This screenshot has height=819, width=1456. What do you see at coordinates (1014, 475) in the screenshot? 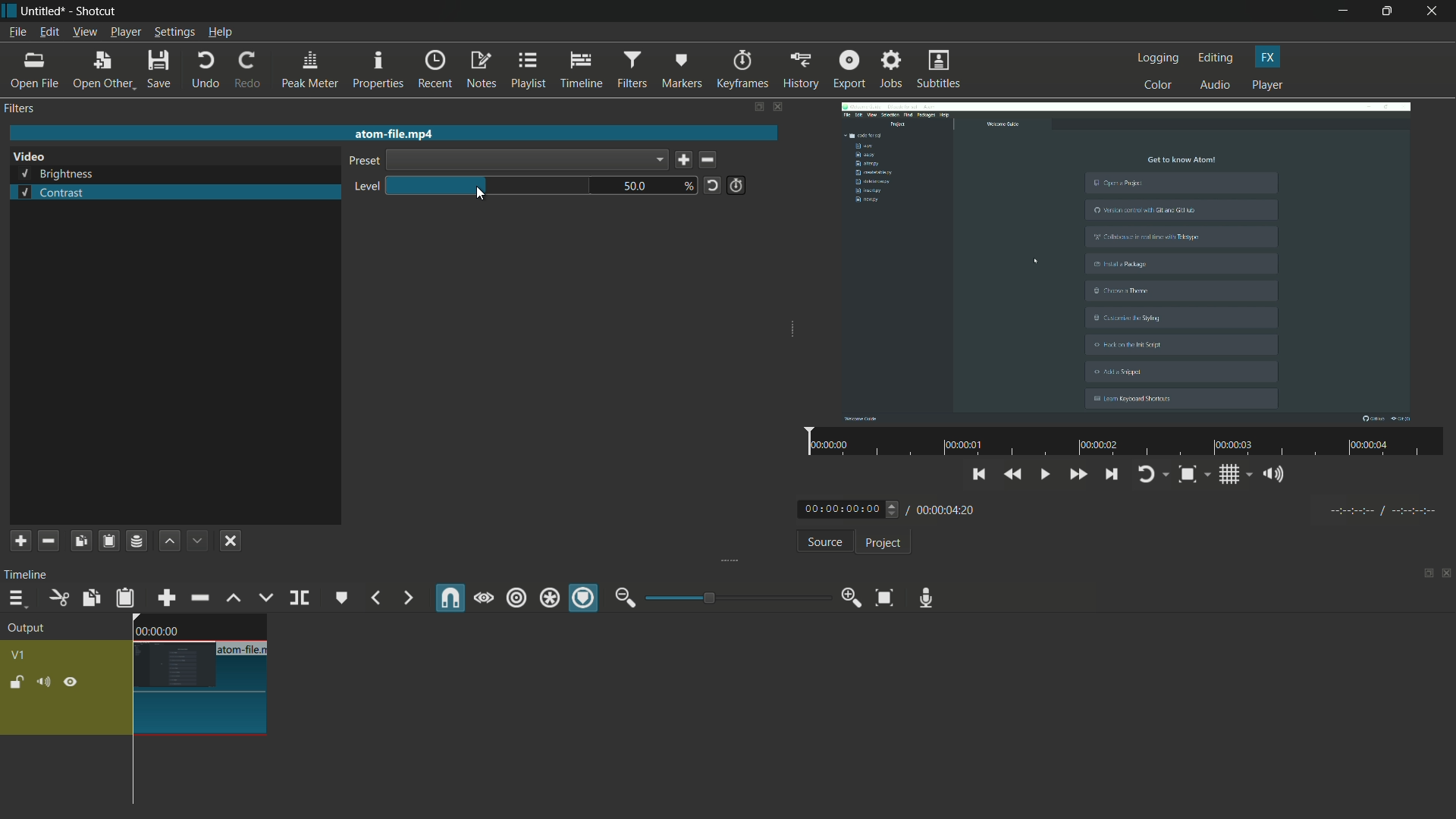
I see `play quickly backwards` at bounding box center [1014, 475].